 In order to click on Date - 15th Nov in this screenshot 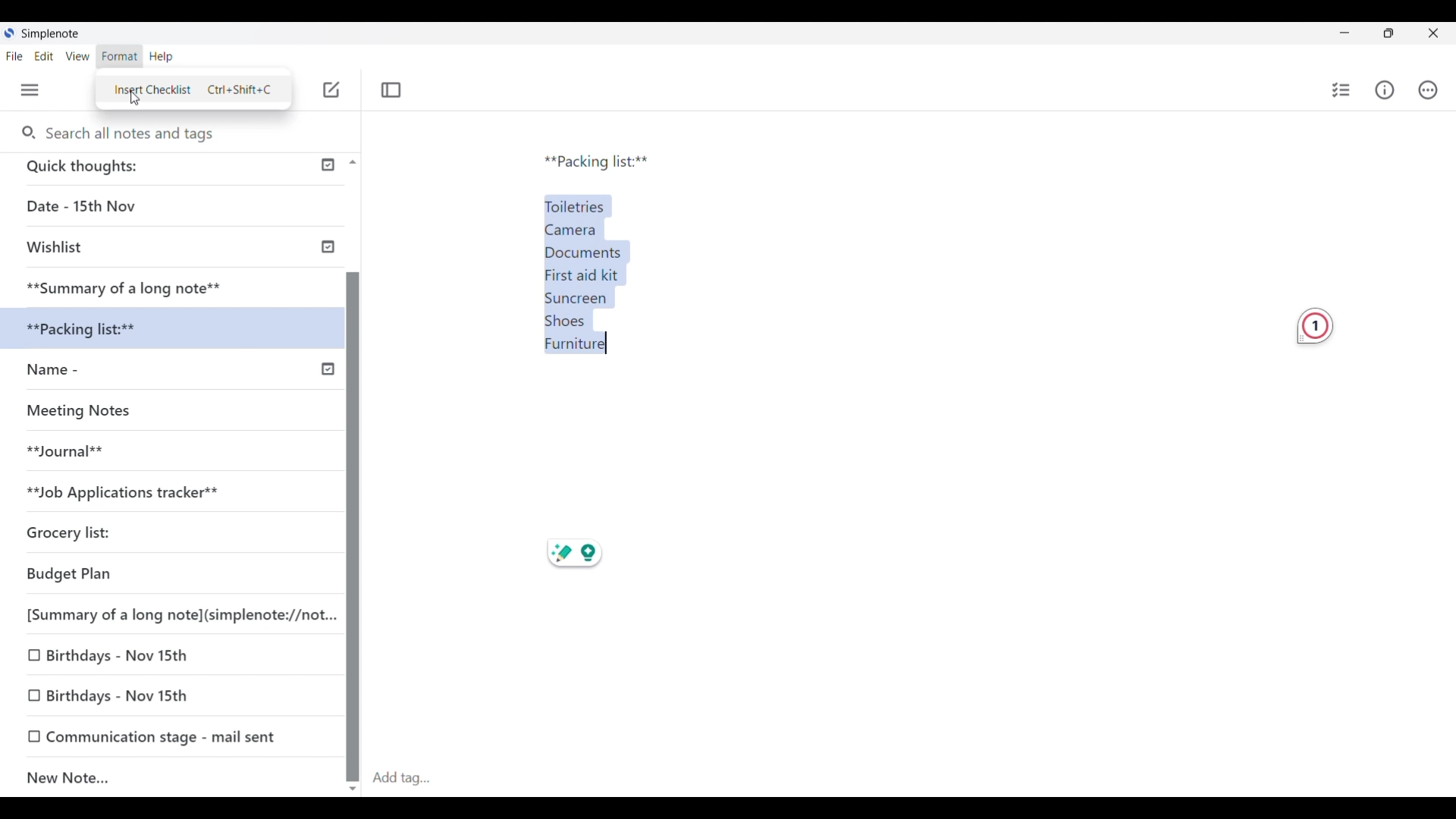, I will do `click(131, 206)`.